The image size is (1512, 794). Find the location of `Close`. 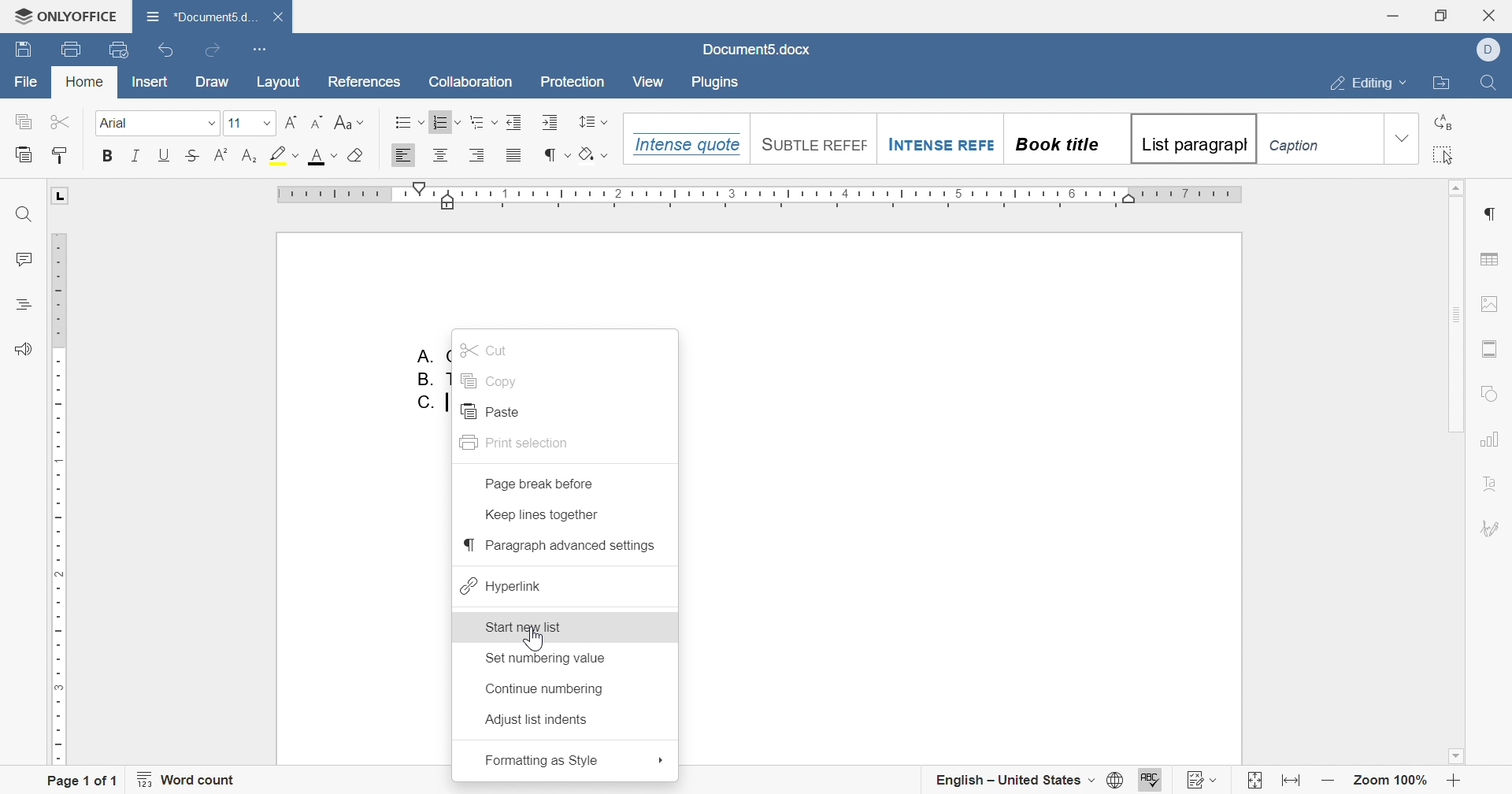

Close is located at coordinates (279, 17).